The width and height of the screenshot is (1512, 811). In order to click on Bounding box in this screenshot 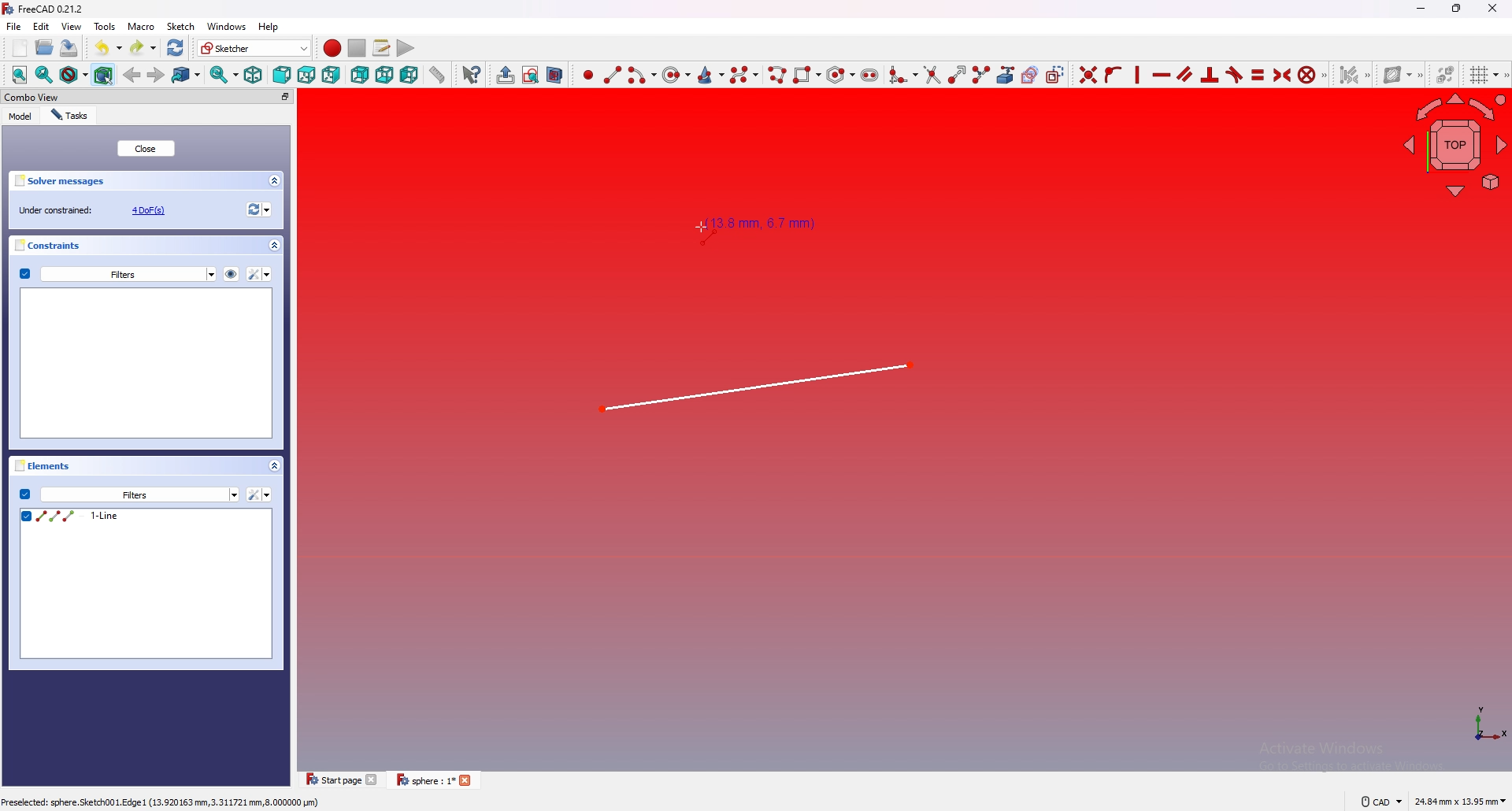, I will do `click(105, 74)`.